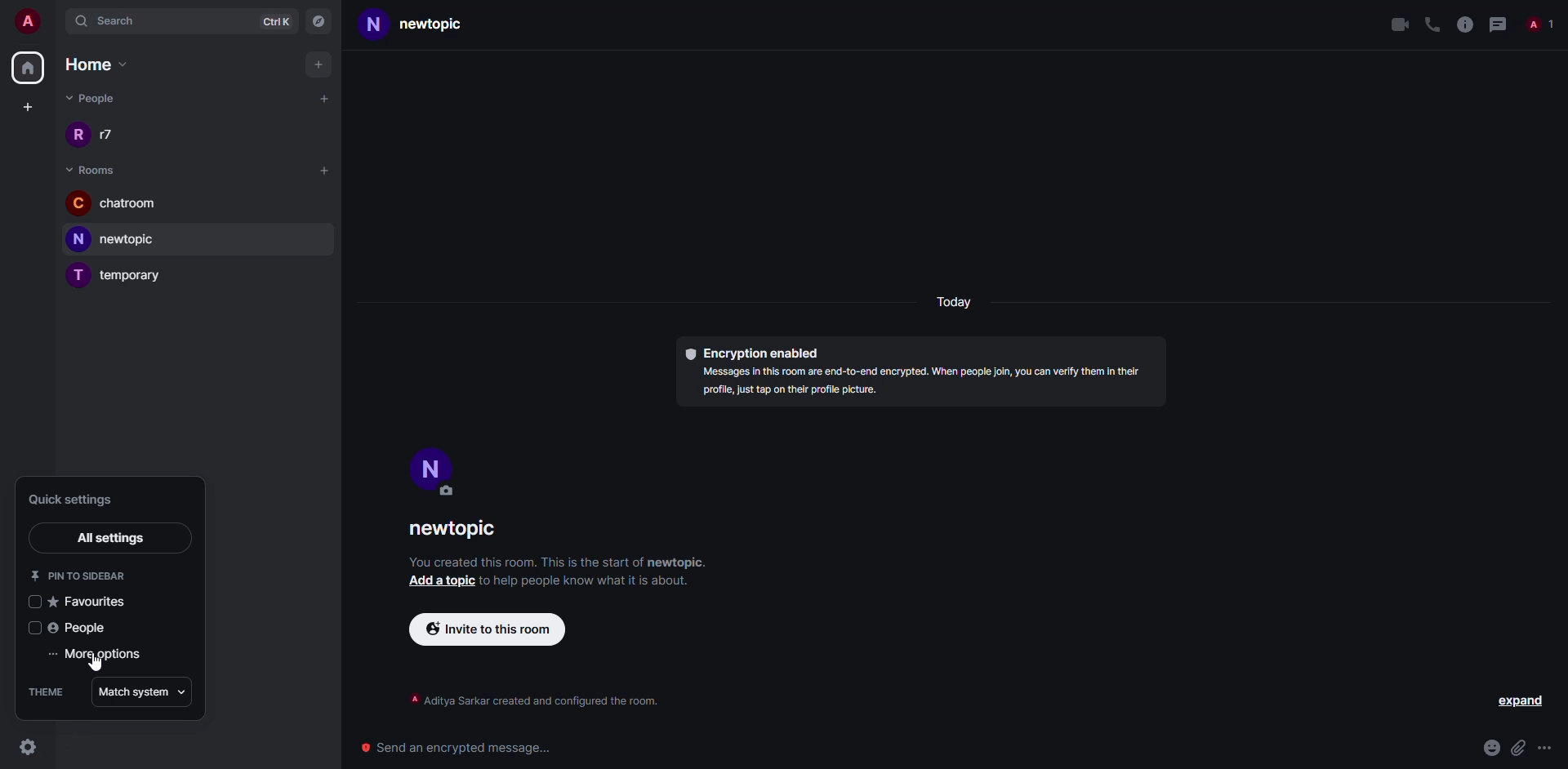 The width and height of the screenshot is (1568, 769). Describe the element at coordinates (101, 652) in the screenshot. I see `more options` at that location.